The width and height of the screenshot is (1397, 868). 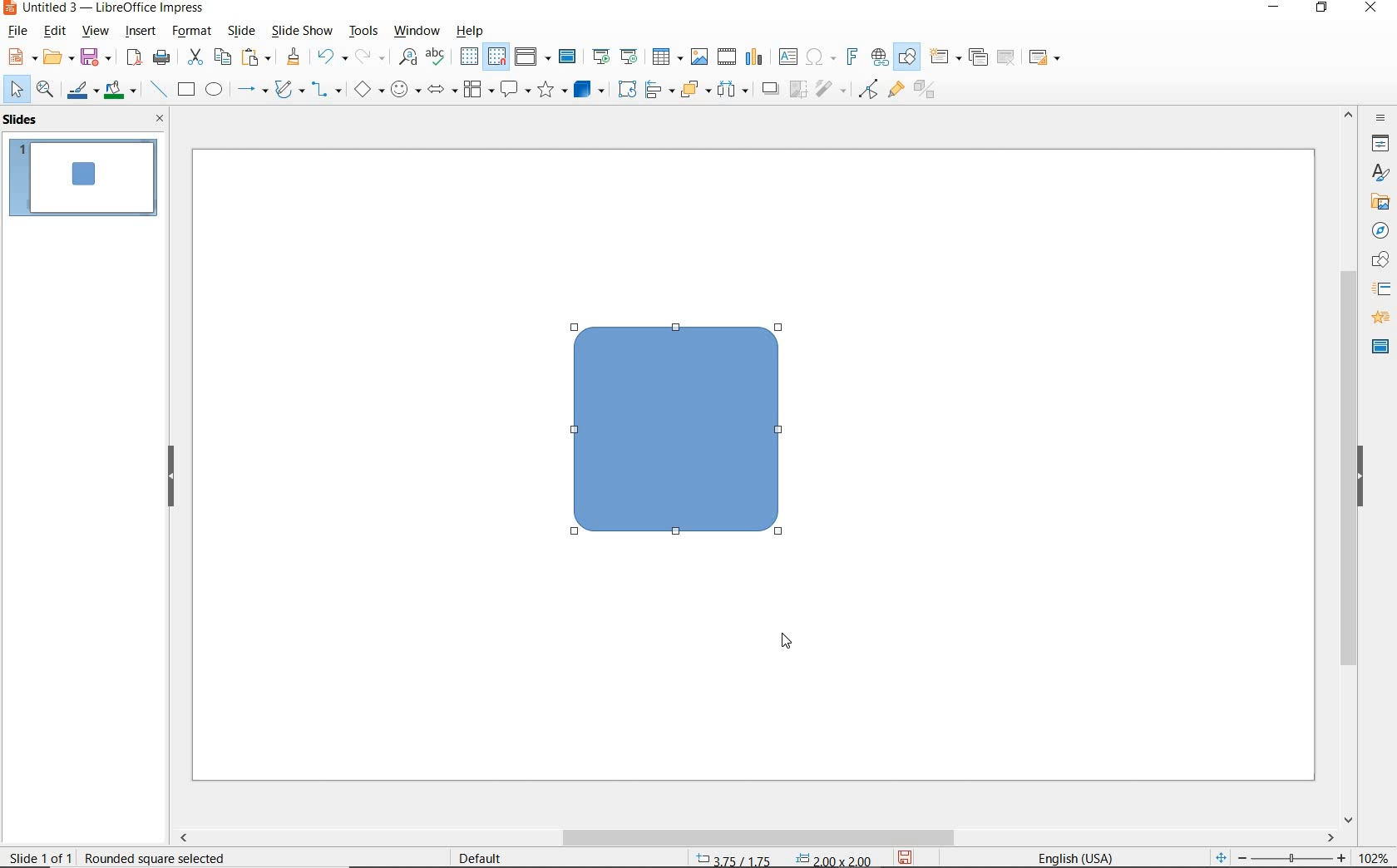 I want to click on fill color, so click(x=122, y=90).